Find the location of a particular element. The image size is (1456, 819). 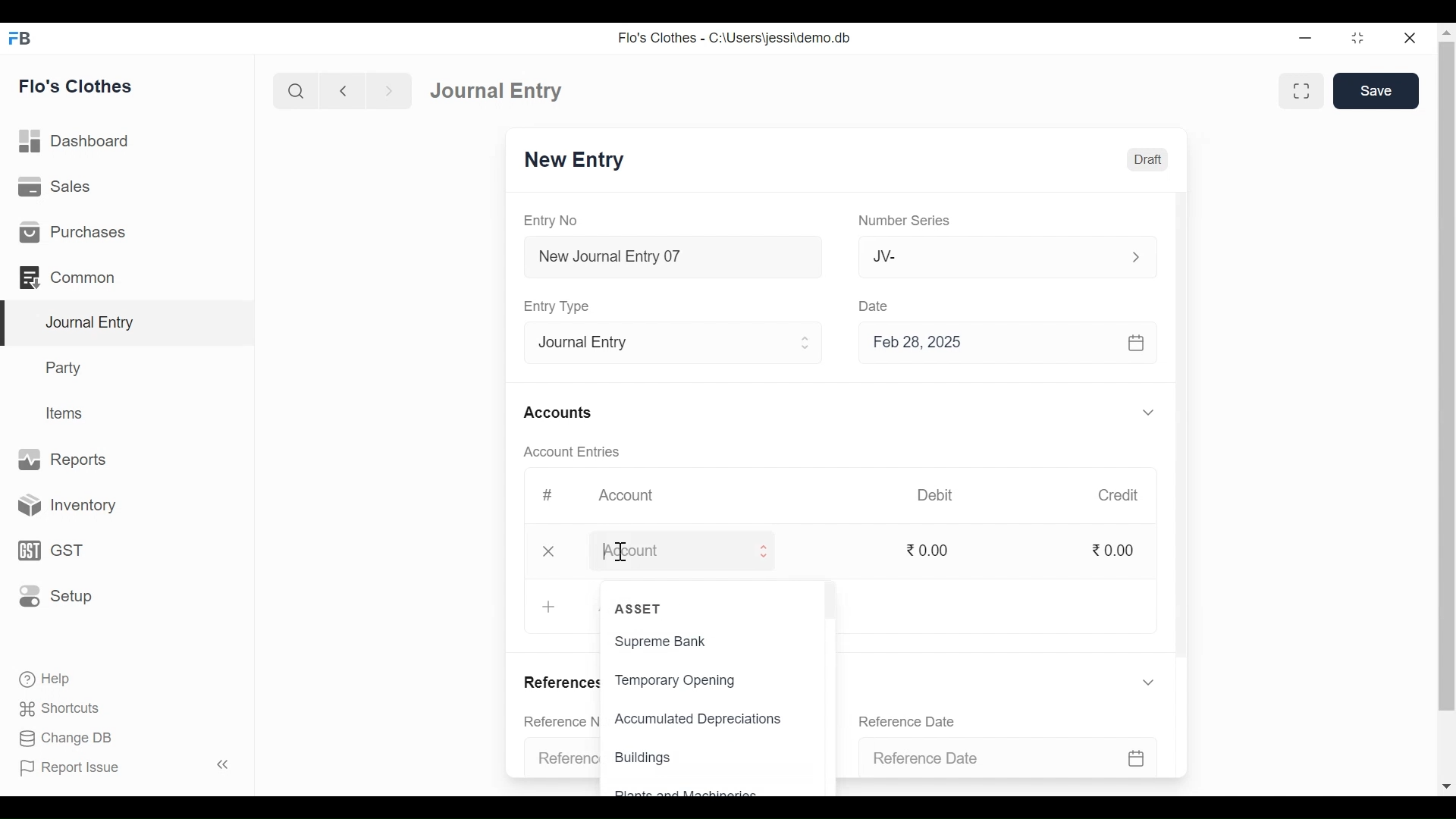

Toggle form and full width is located at coordinates (1301, 91).